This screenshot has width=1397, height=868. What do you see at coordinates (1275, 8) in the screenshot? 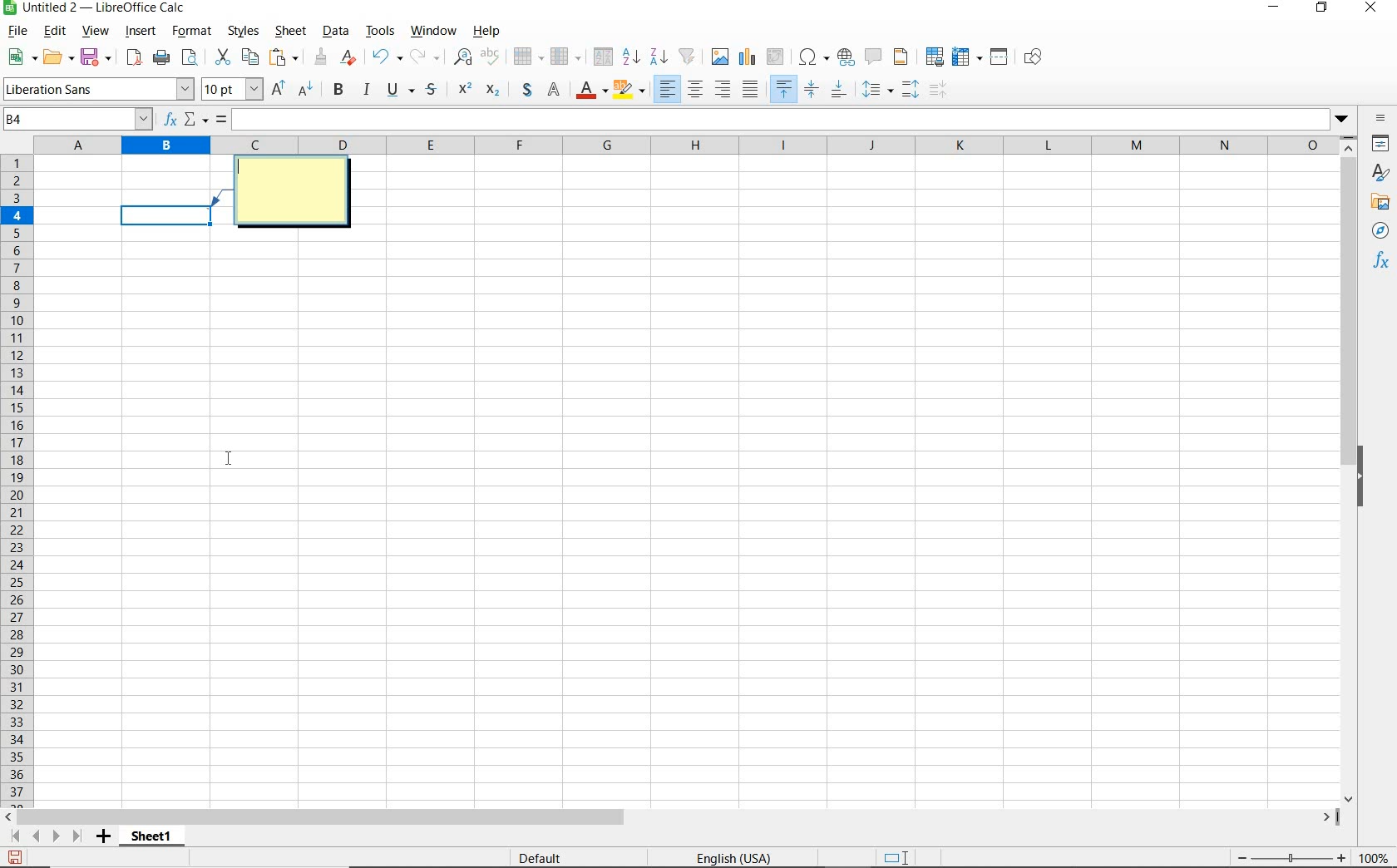
I see `minimize` at bounding box center [1275, 8].